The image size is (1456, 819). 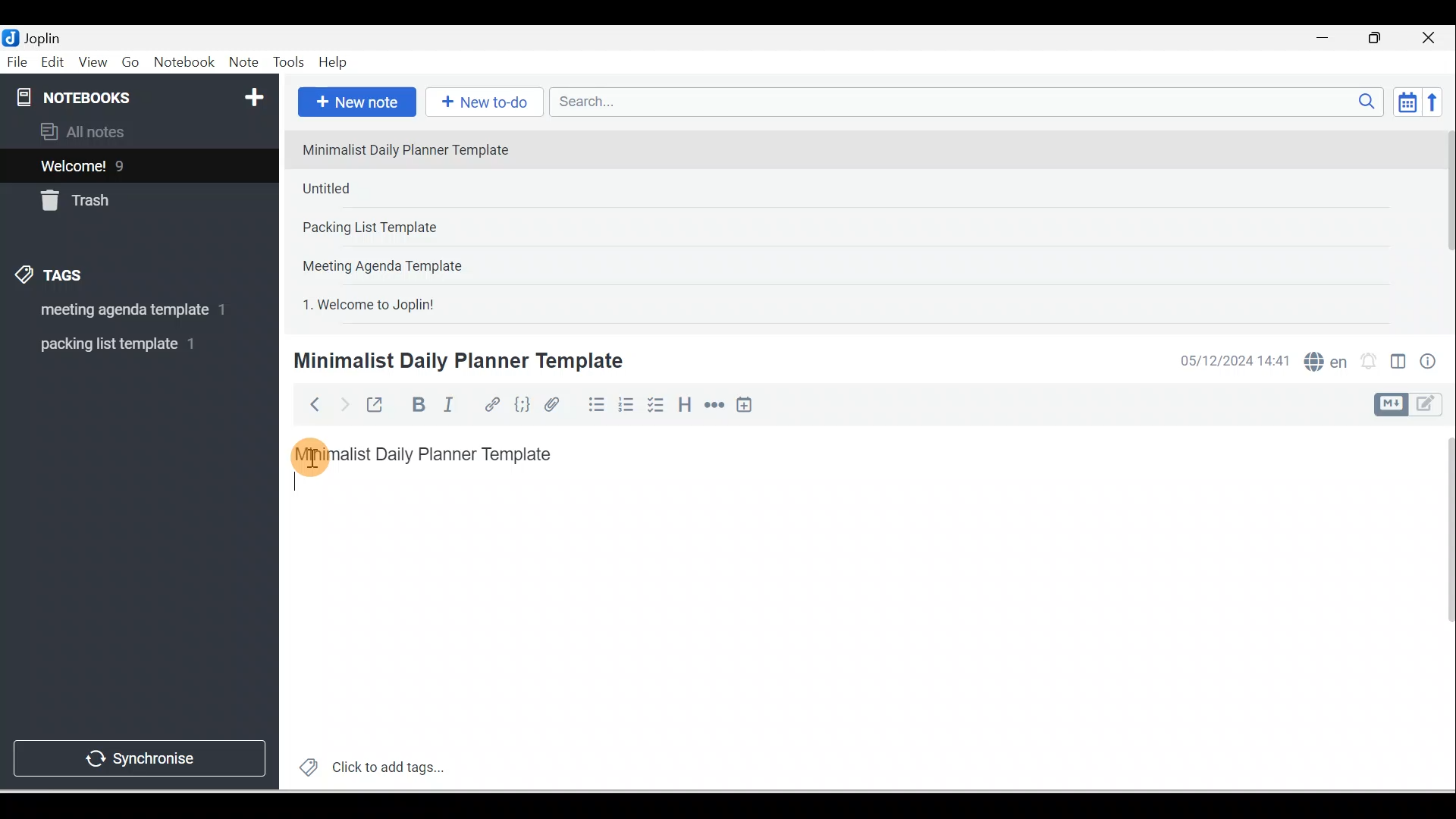 What do you see at coordinates (1323, 359) in the screenshot?
I see `Spelling` at bounding box center [1323, 359].